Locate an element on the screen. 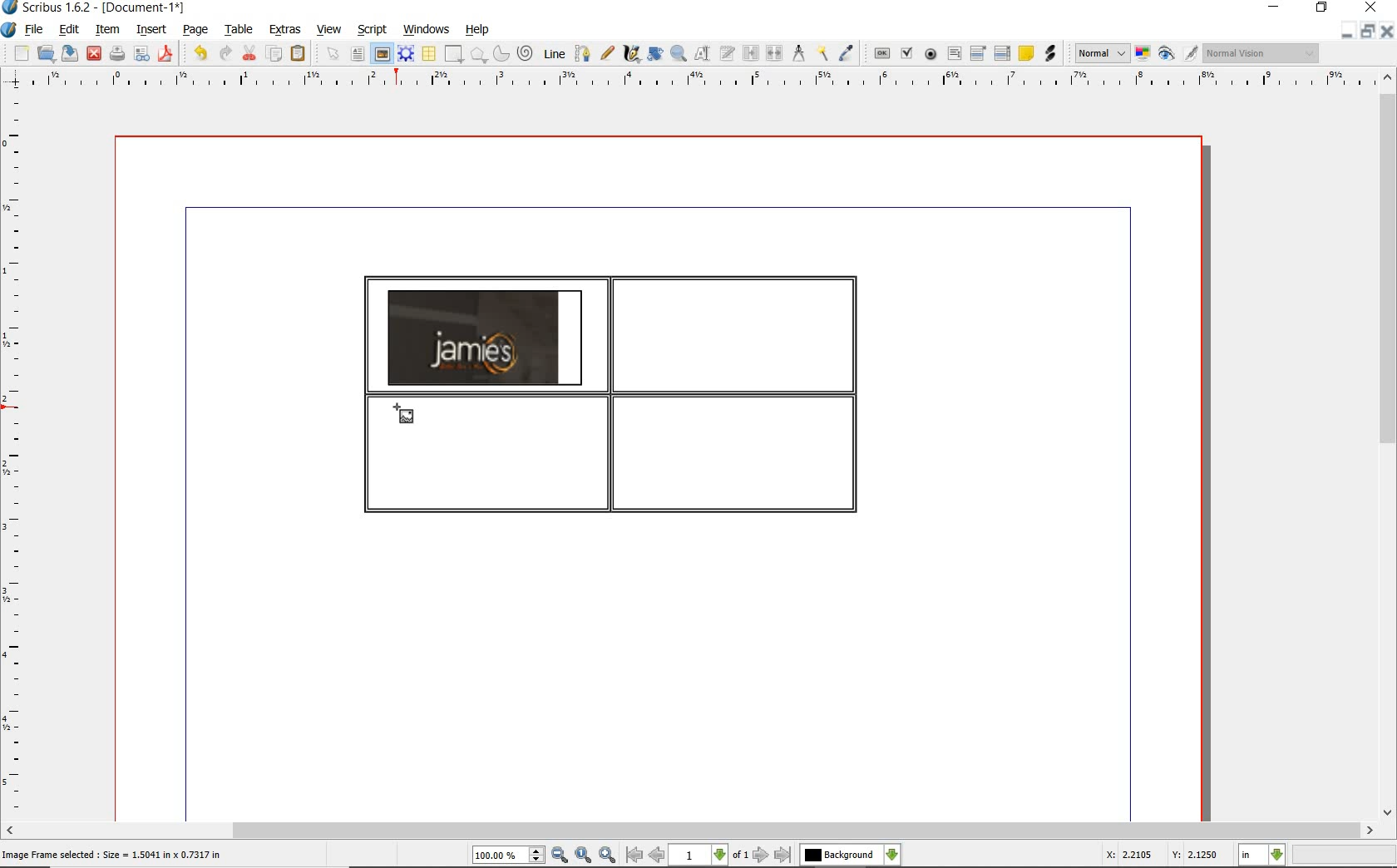  unlink text frames is located at coordinates (776, 53).